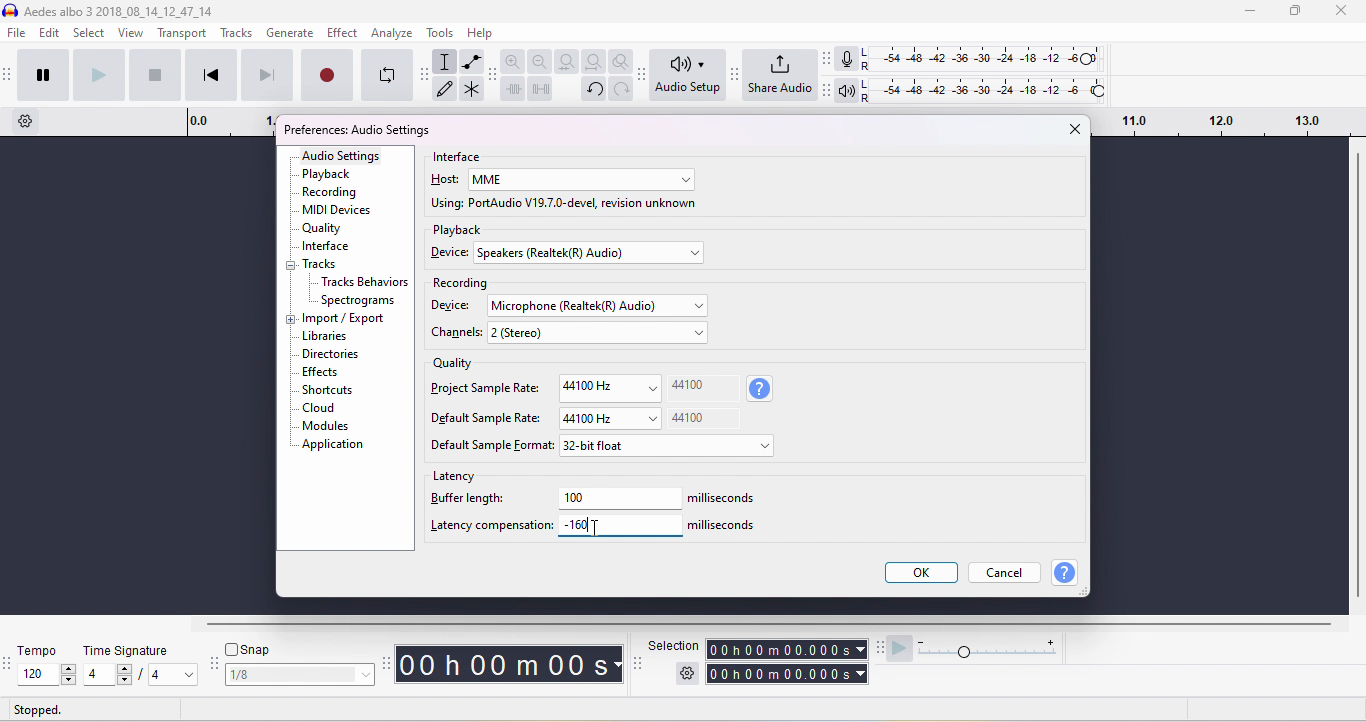 The width and height of the screenshot is (1366, 722). What do you see at coordinates (359, 301) in the screenshot?
I see `spectrograms` at bounding box center [359, 301].